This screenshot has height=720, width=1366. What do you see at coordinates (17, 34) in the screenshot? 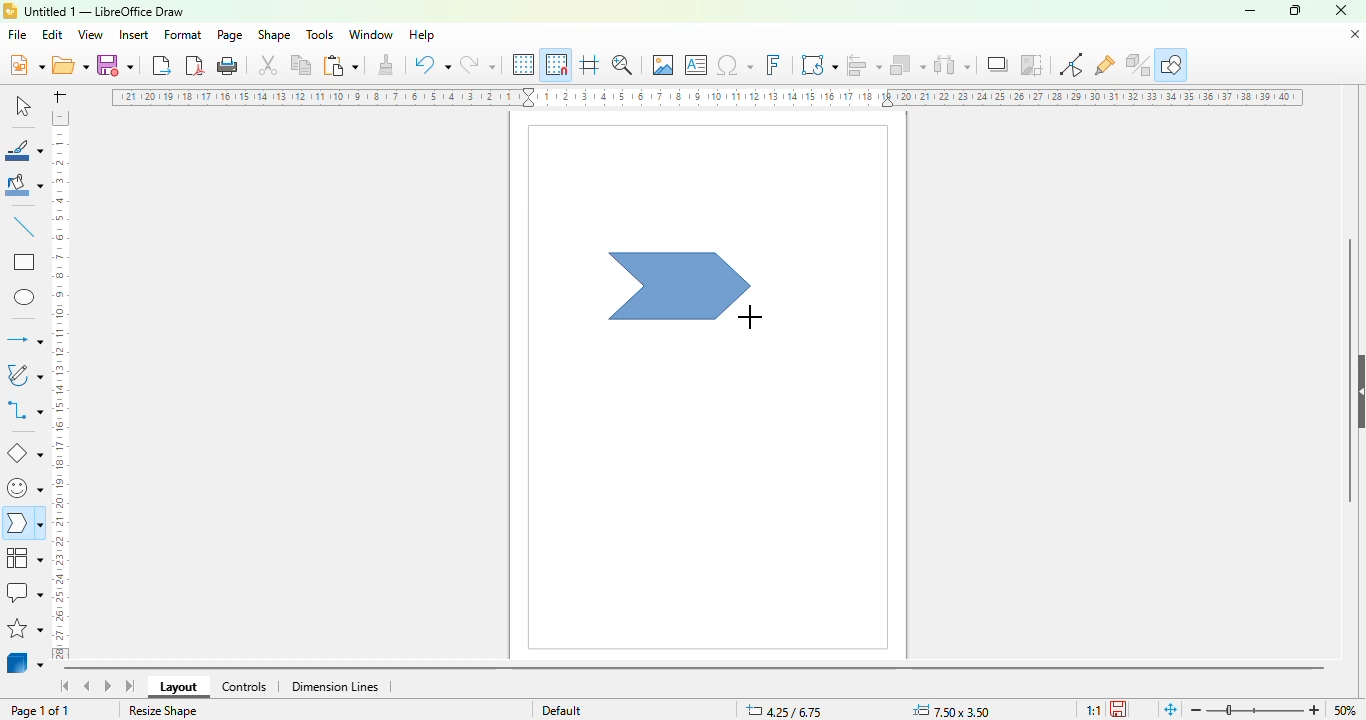
I see `file` at bounding box center [17, 34].